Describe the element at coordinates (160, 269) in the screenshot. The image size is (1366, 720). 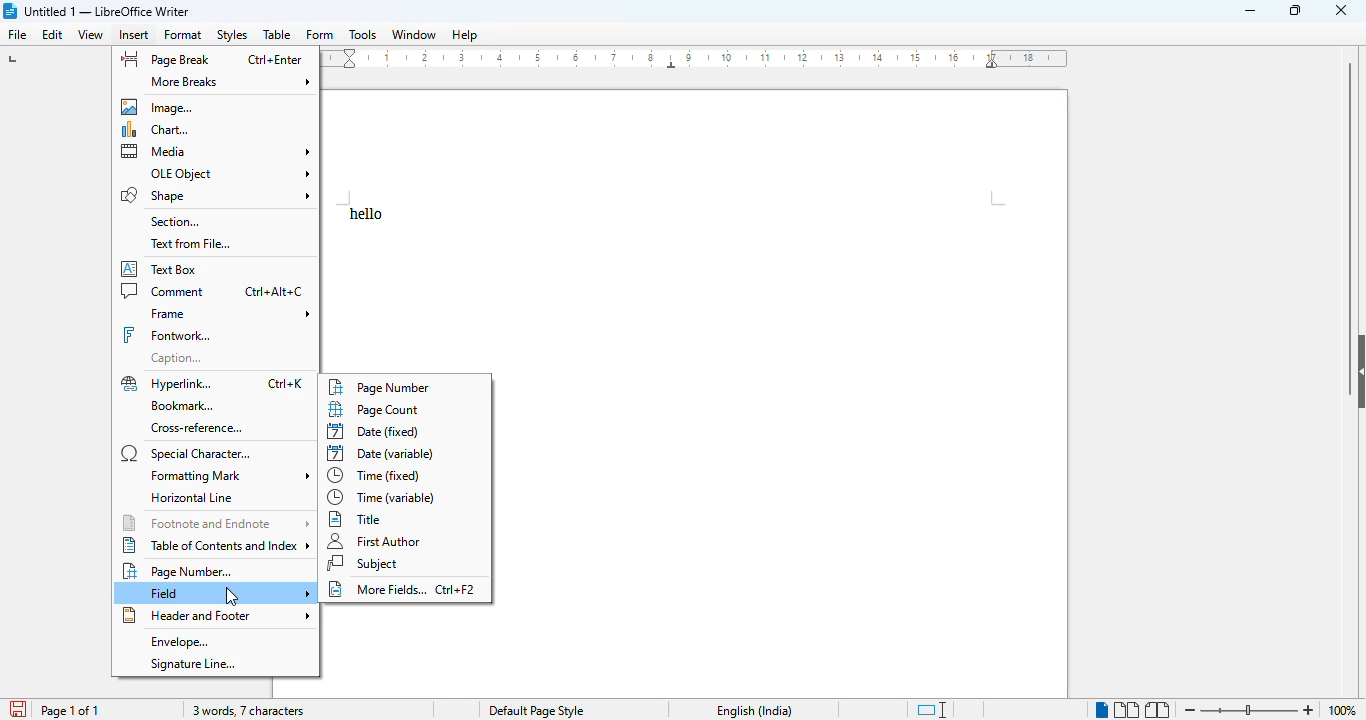
I see `text box` at that location.